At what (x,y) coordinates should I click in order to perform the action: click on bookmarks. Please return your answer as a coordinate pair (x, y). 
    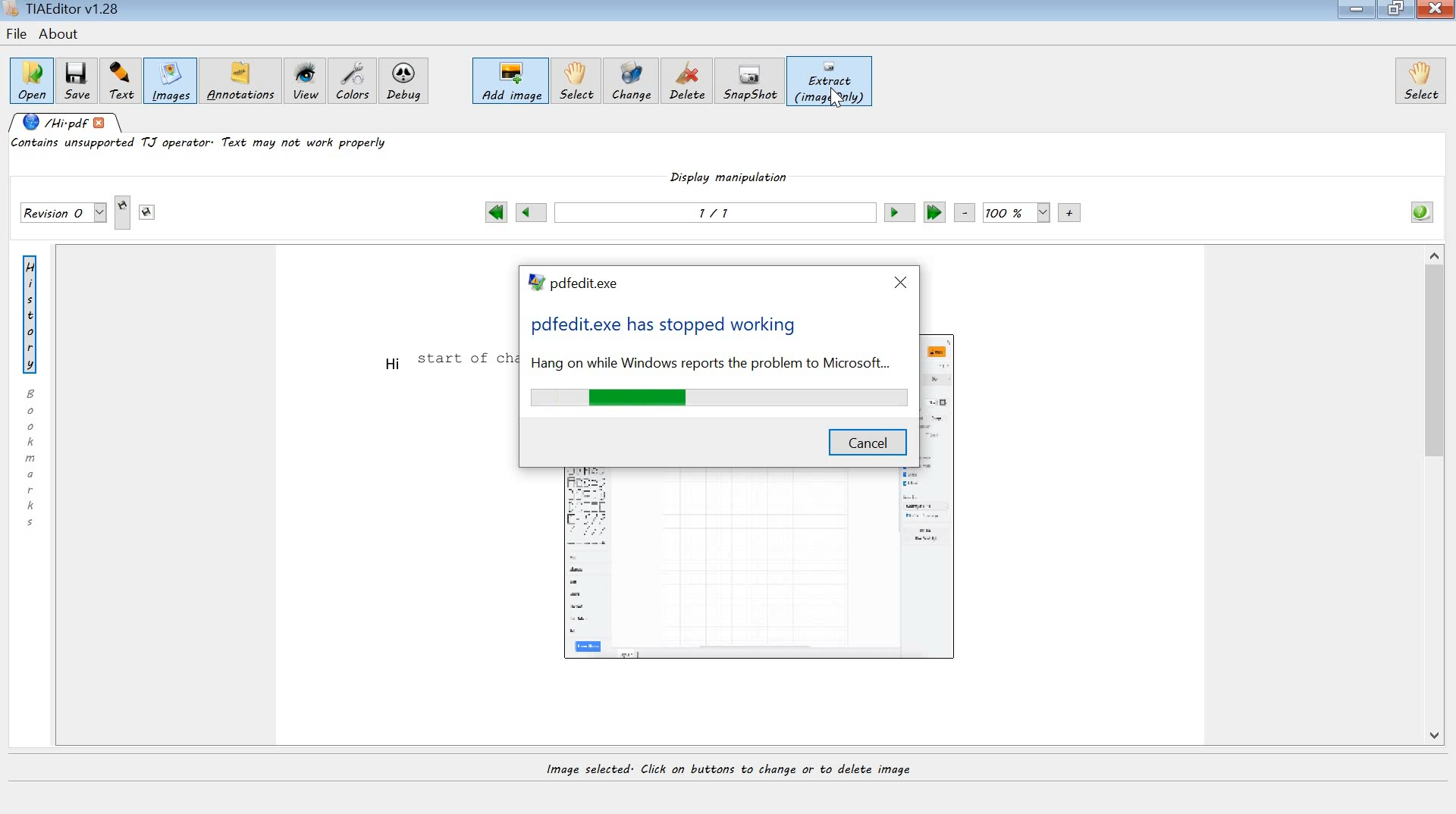
    Looking at the image, I should click on (33, 457).